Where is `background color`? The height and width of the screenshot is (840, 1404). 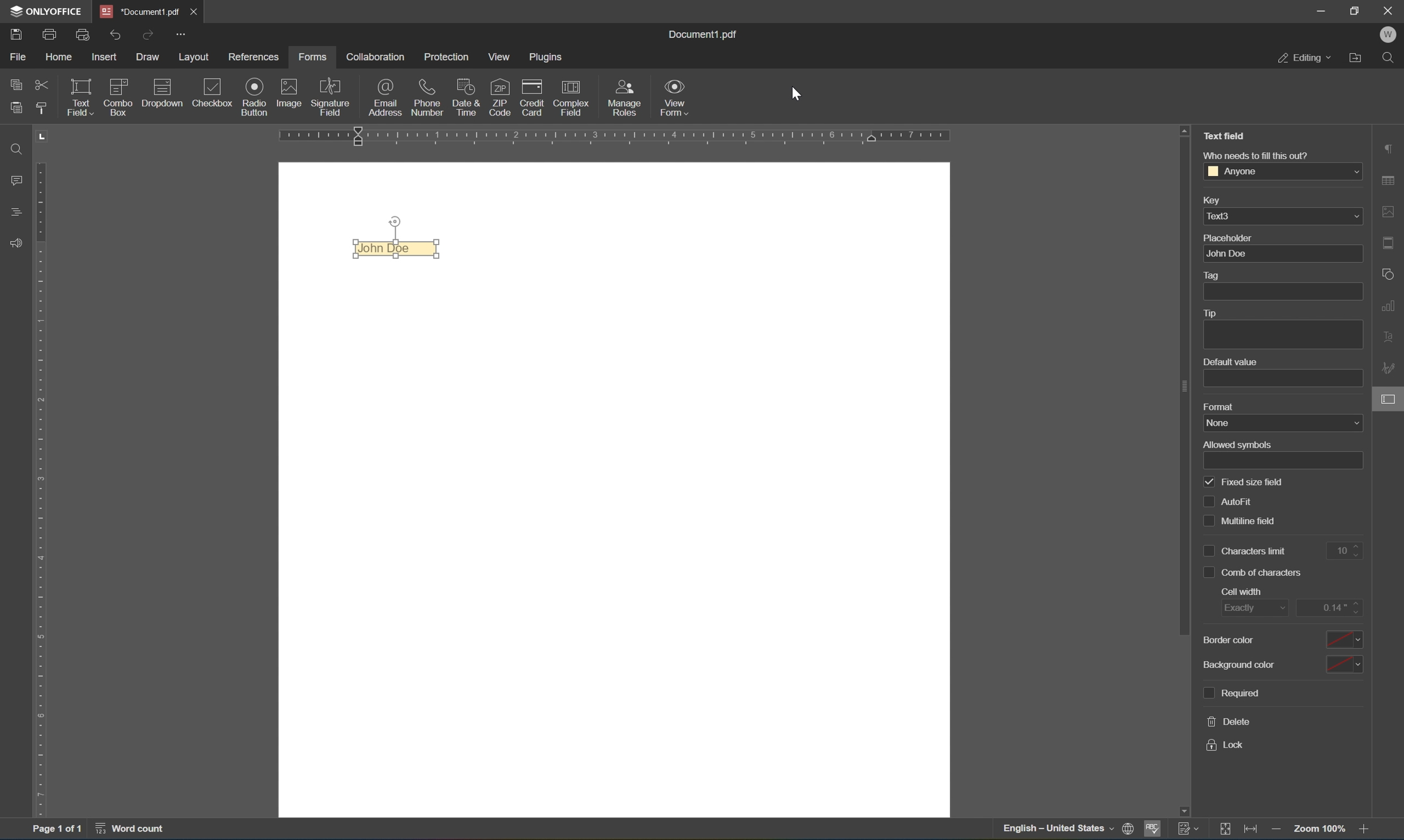
background color is located at coordinates (1284, 663).